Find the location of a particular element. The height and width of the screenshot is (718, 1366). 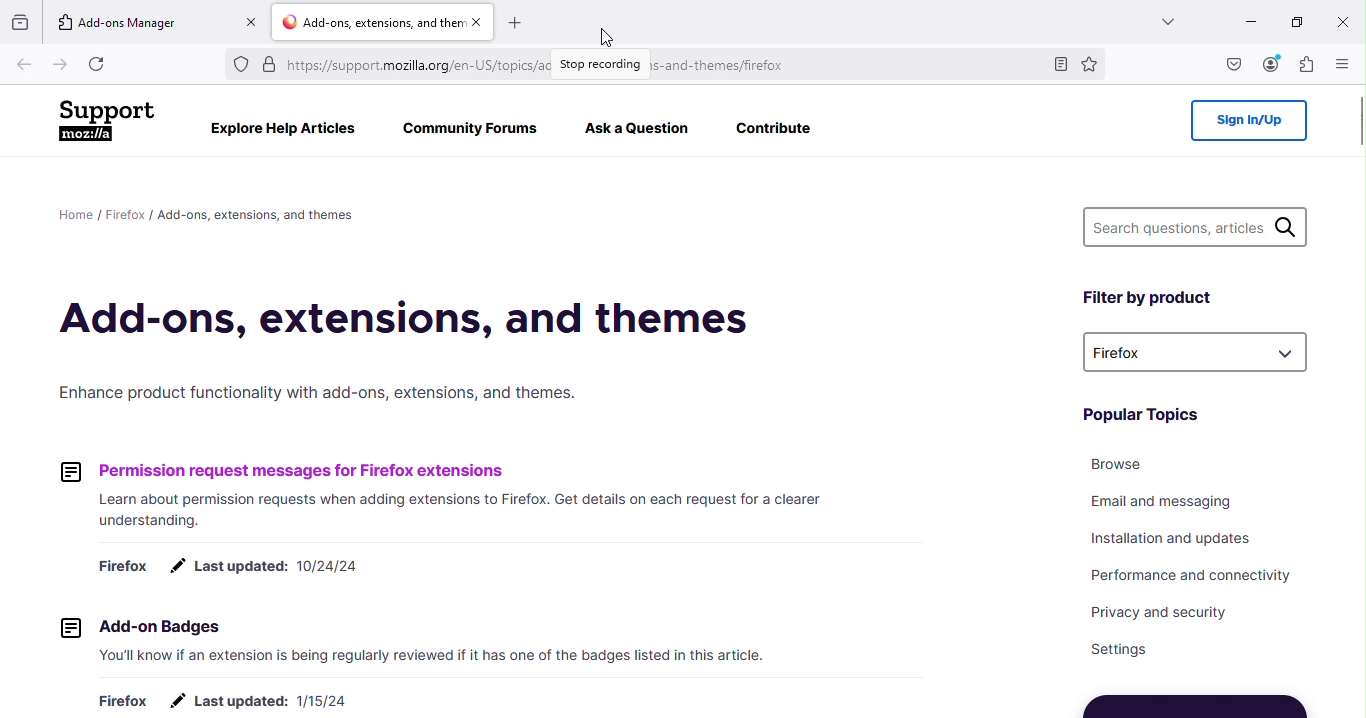

Explore Help Articles is located at coordinates (284, 130).